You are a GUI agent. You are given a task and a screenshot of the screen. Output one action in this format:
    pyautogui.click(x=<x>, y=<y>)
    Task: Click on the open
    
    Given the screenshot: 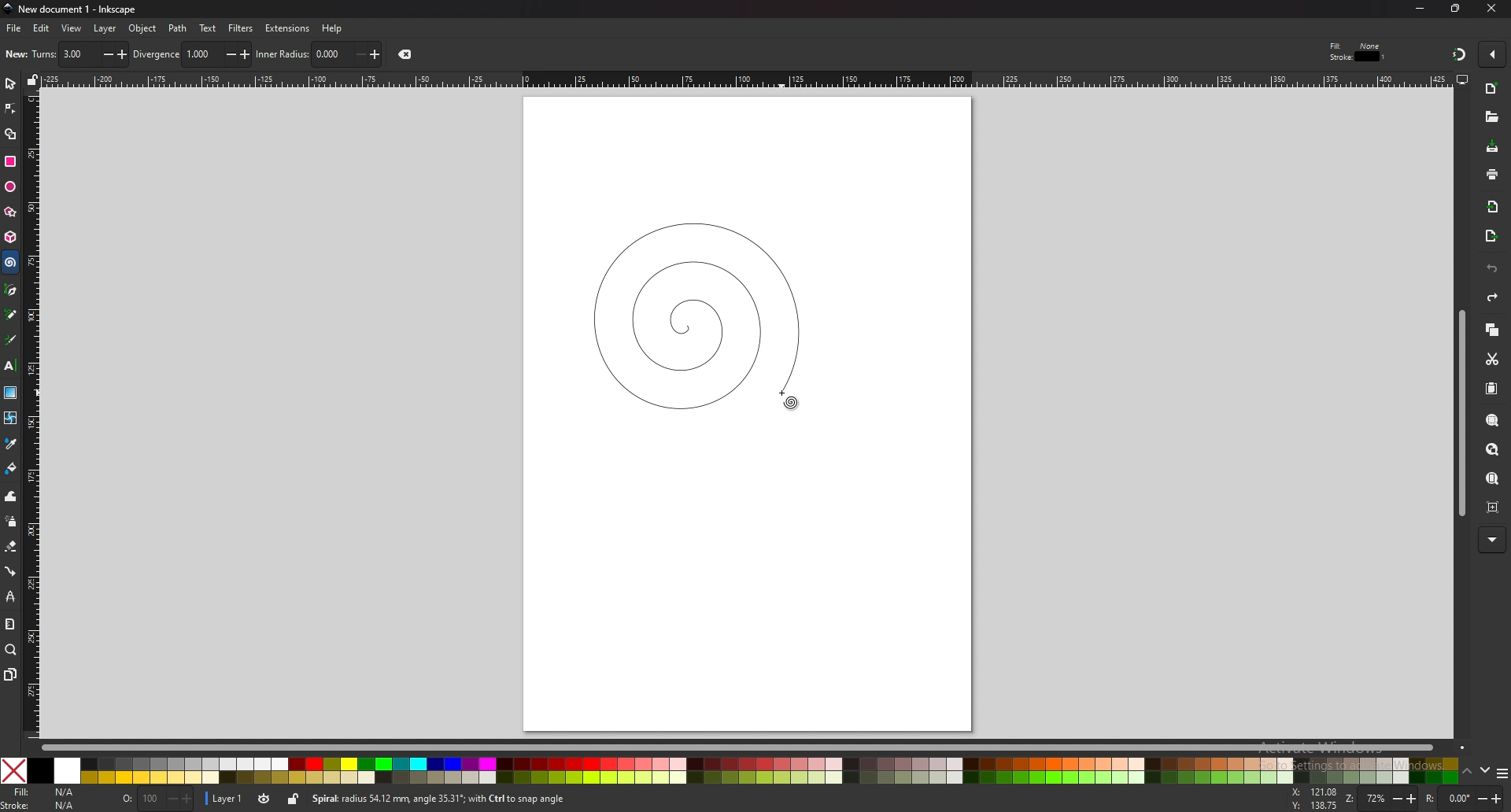 What is the action you would take?
    pyautogui.click(x=1491, y=119)
    